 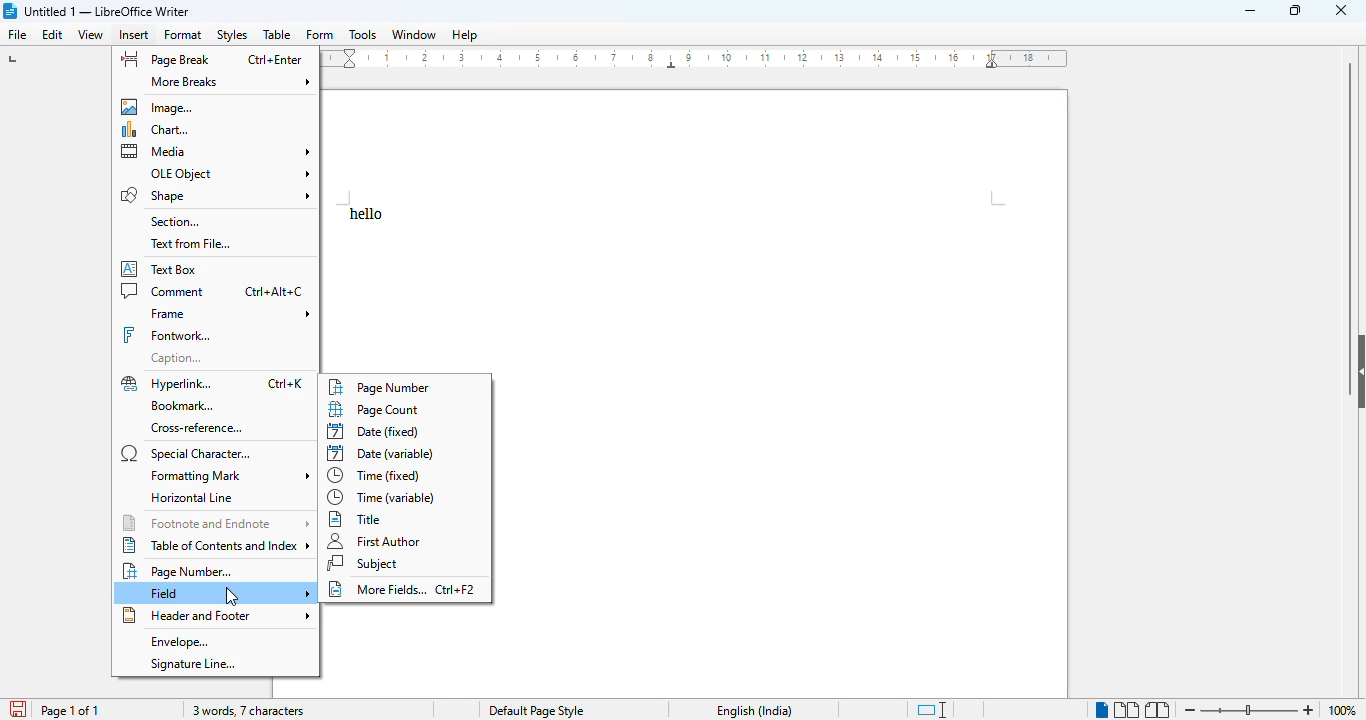 What do you see at coordinates (376, 409) in the screenshot?
I see `page count` at bounding box center [376, 409].